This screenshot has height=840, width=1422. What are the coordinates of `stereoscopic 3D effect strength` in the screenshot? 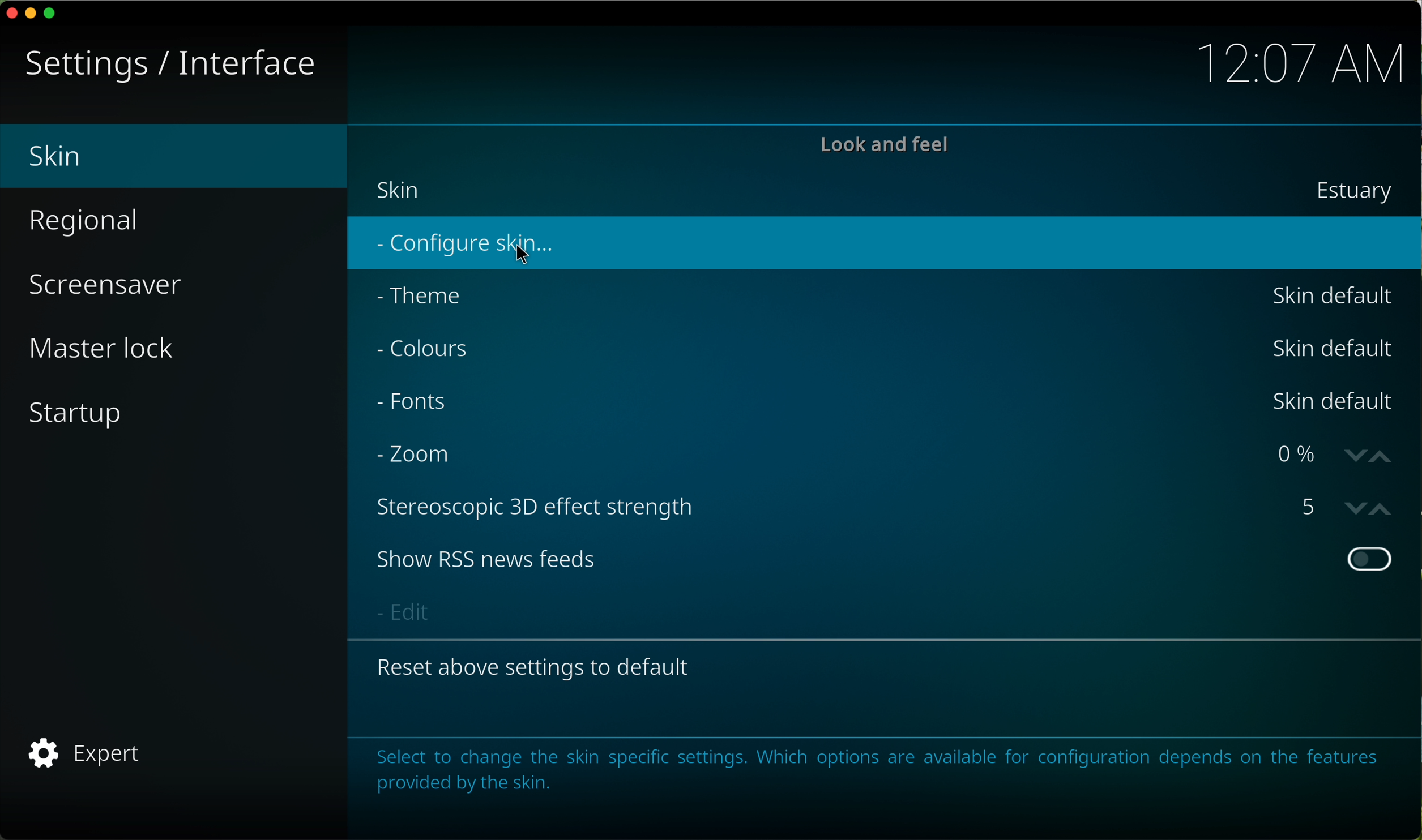 It's located at (545, 506).